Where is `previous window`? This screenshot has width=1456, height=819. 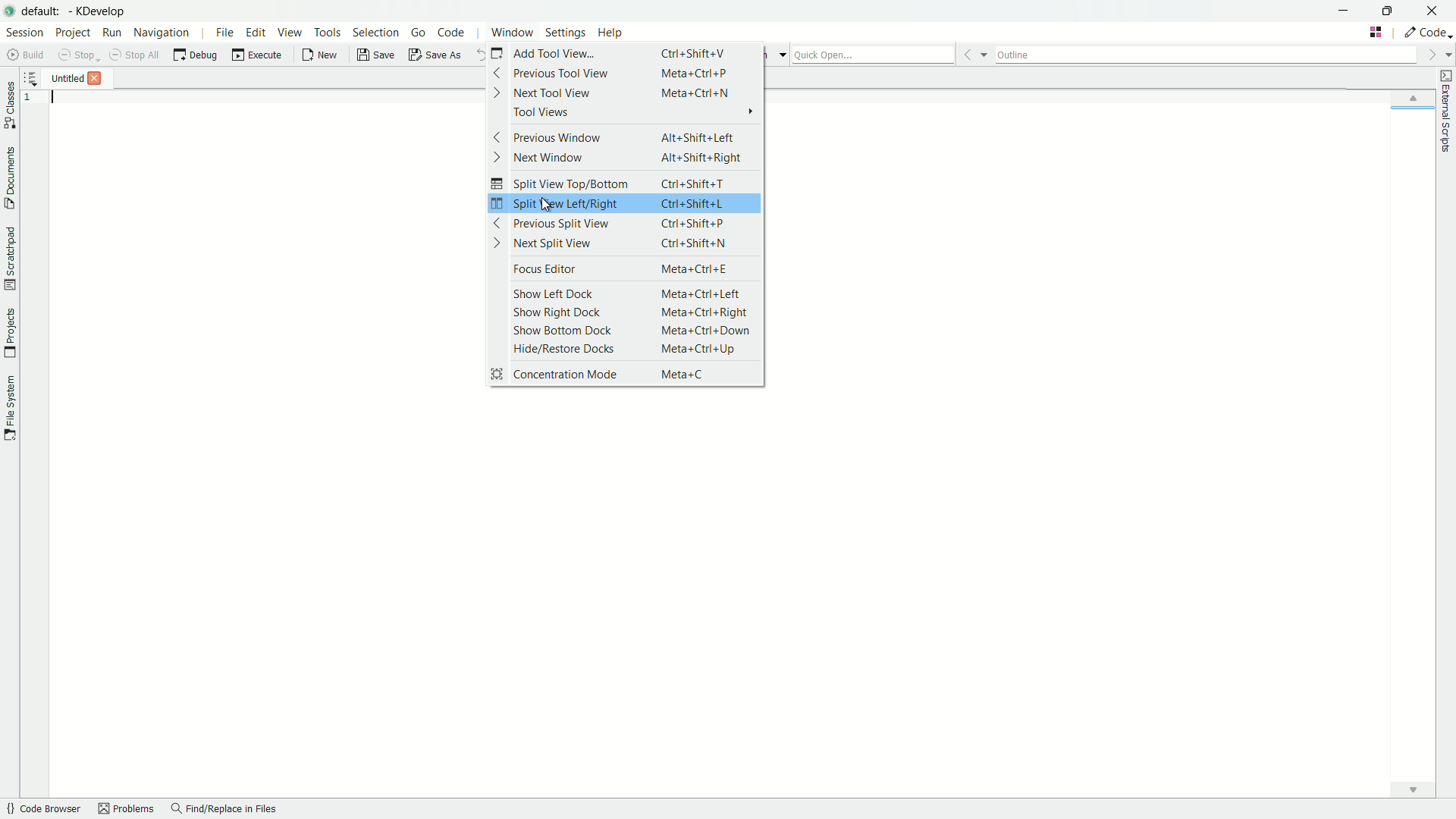
previous window is located at coordinates (565, 137).